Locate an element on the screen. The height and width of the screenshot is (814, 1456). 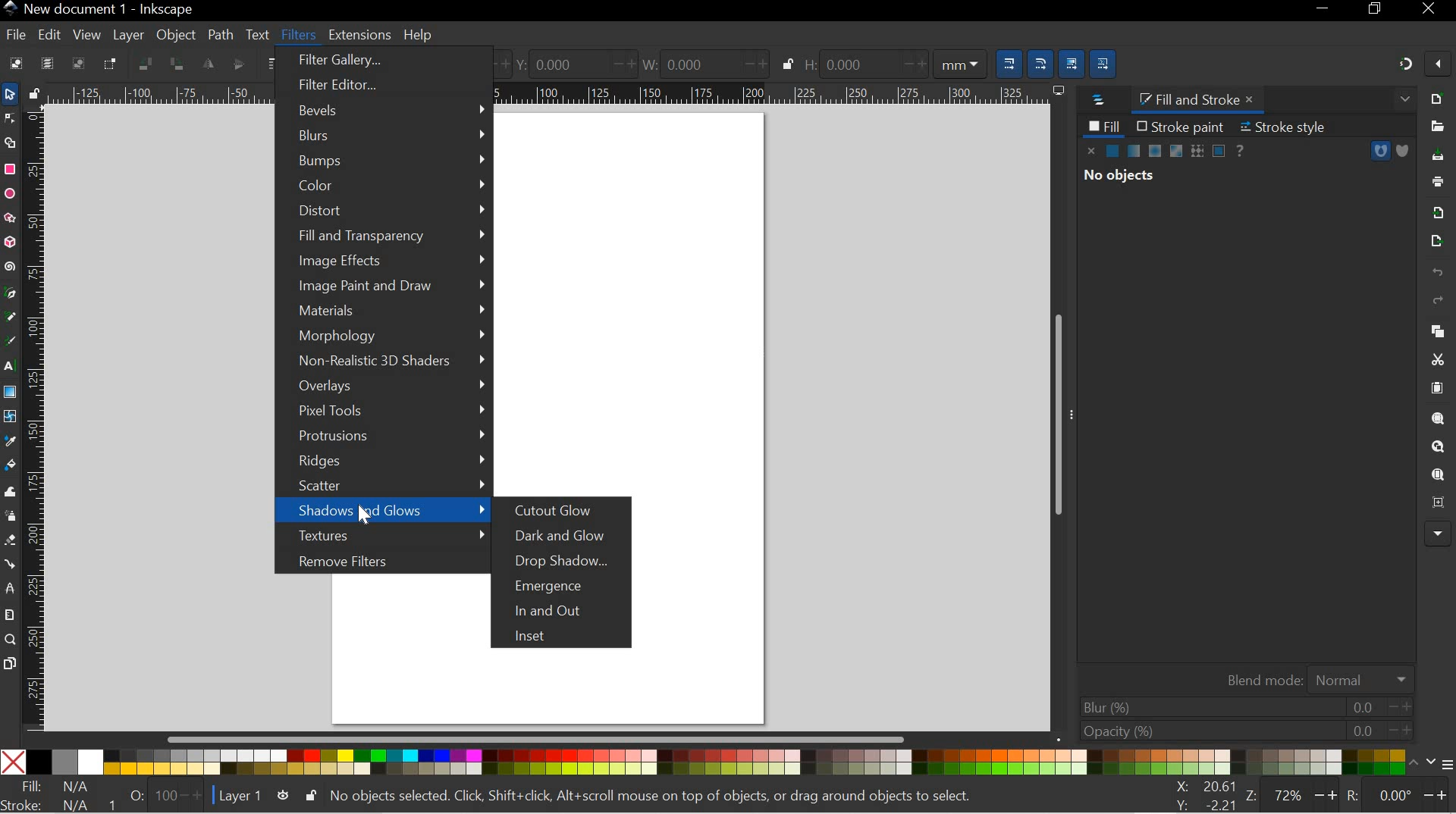
TEXTURES is located at coordinates (381, 535).